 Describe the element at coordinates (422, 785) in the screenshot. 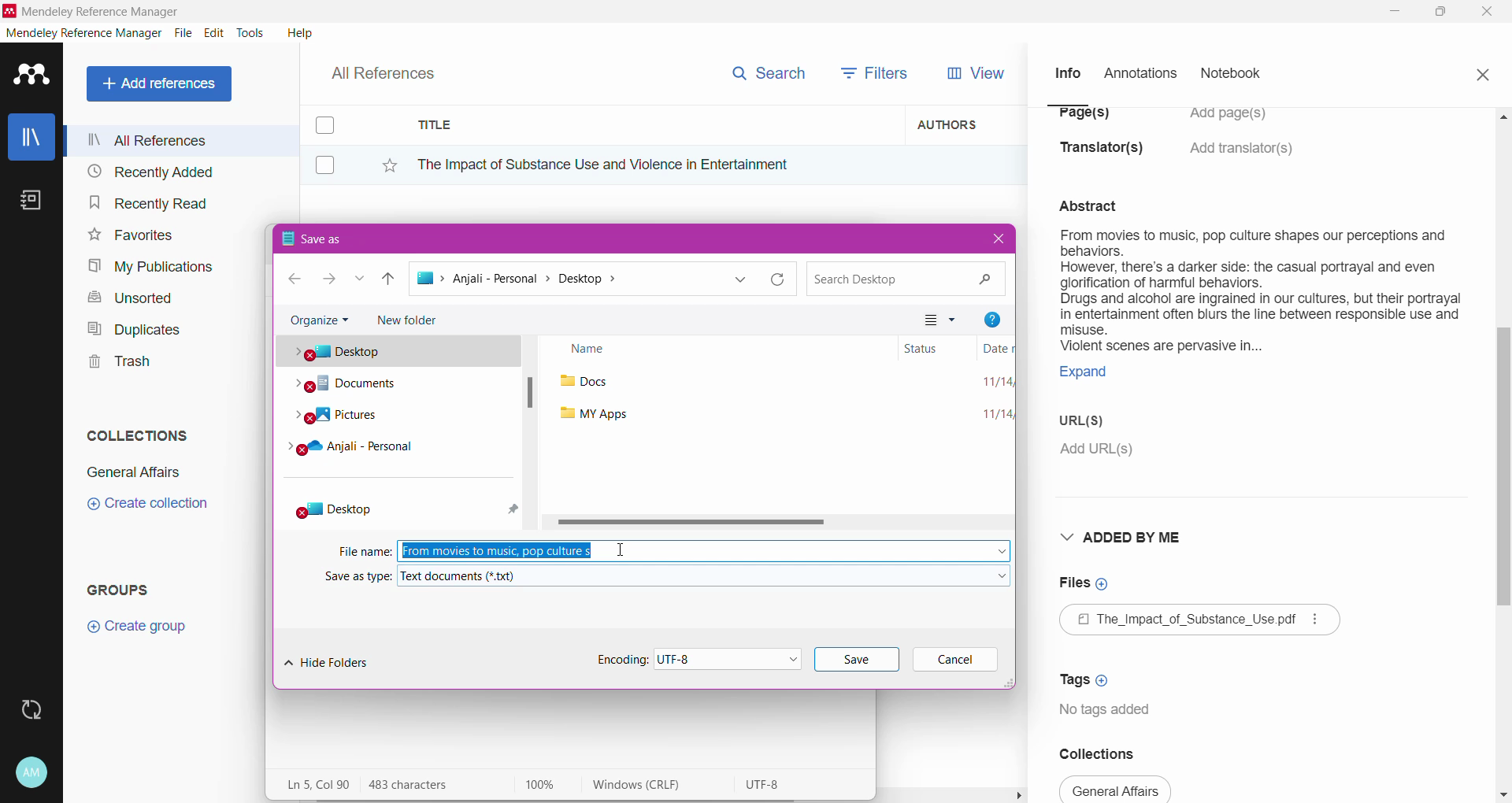

I see `Number of Characters in the pasted text` at that location.